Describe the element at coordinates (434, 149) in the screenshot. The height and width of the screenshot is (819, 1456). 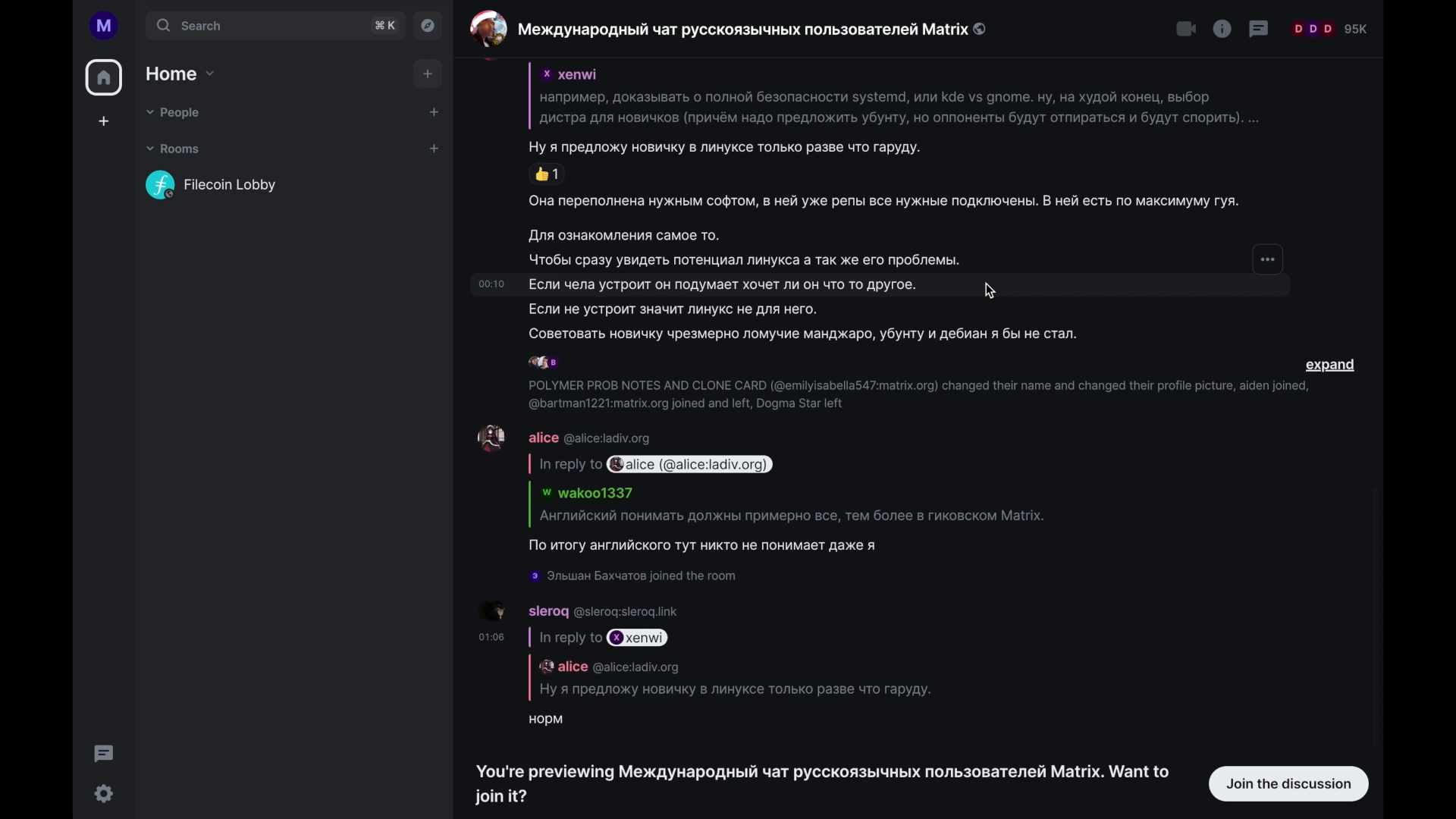
I see `add room` at that location.